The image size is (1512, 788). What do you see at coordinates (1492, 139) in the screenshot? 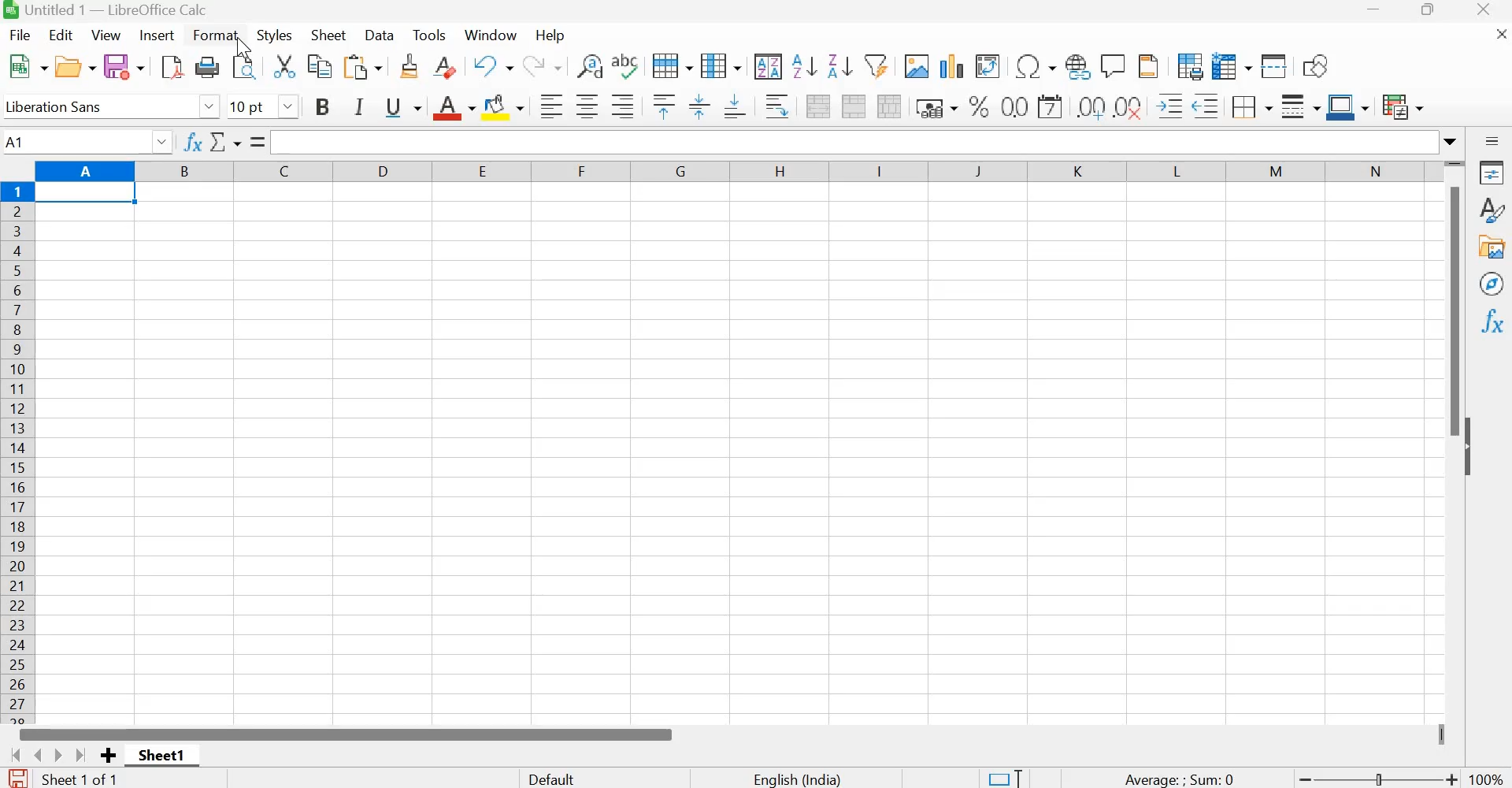
I see `Sidebar settings` at bounding box center [1492, 139].